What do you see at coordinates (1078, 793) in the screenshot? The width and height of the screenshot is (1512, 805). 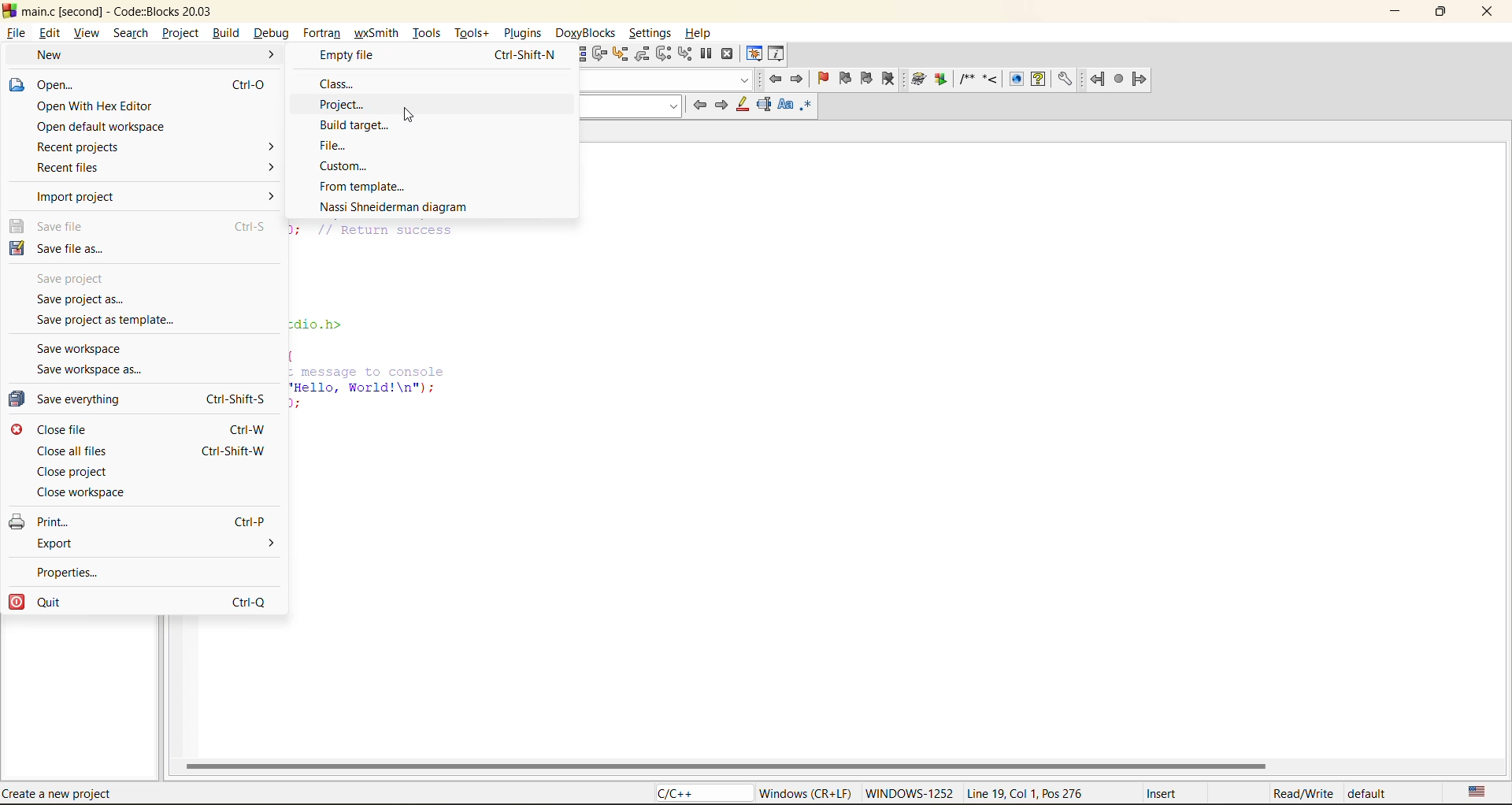 I see `metadata` at bounding box center [1078, 793].